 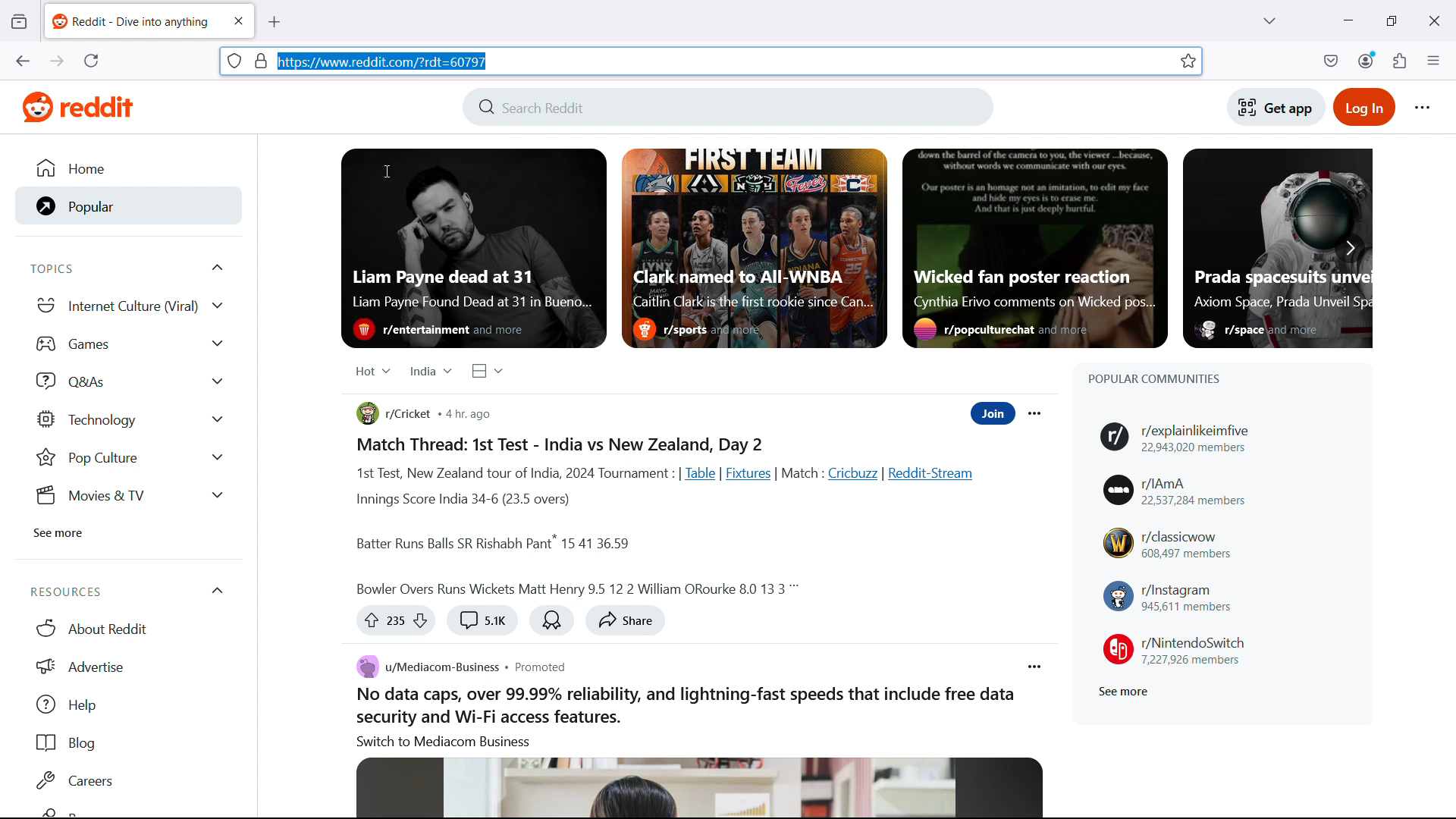 What do you see at coordinates (238, 20) in the screenshot?
I see `close tab` at bounding box center [238, 20].